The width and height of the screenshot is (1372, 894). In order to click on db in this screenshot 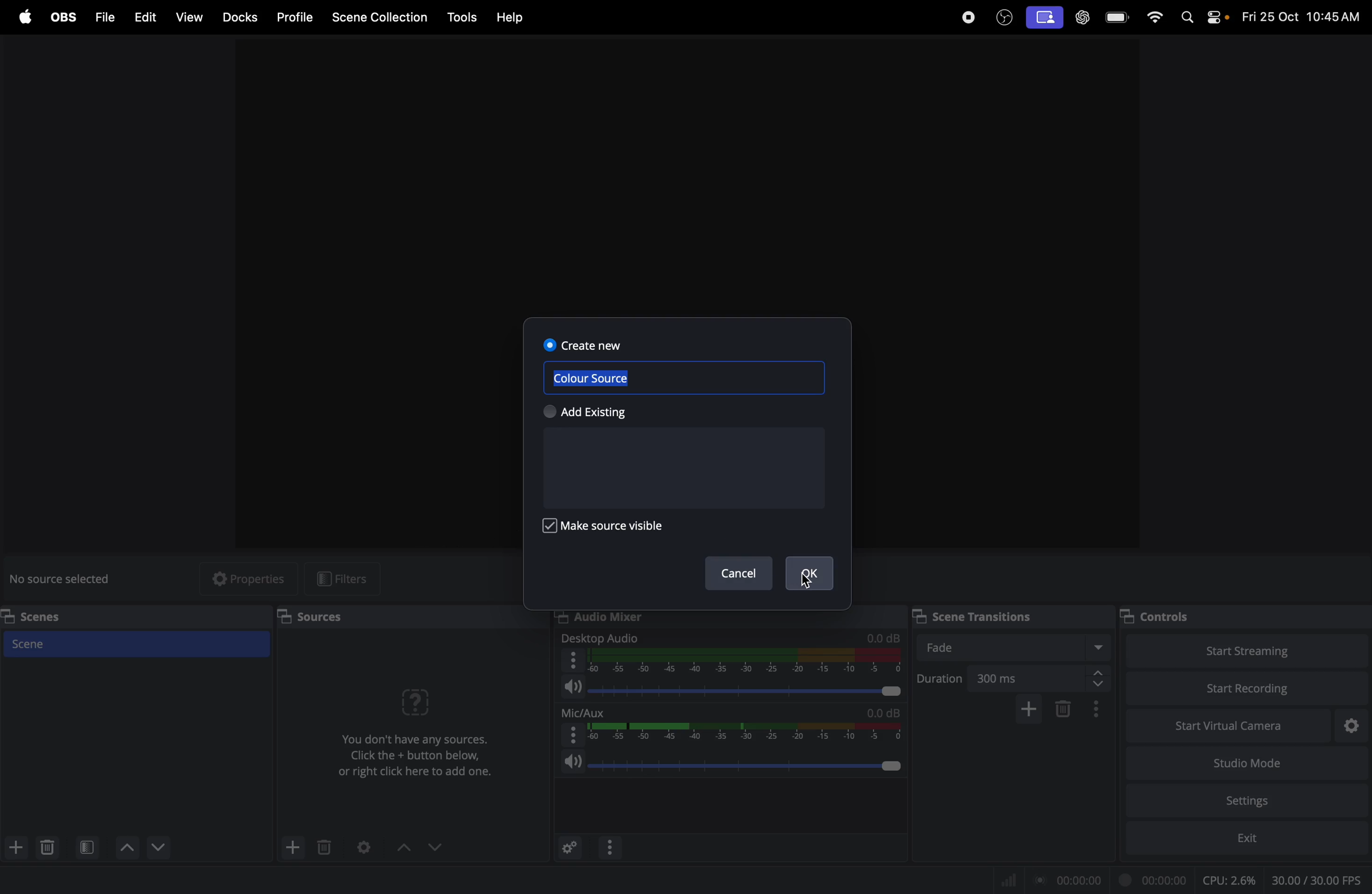, I will do `click(881, 637)`.